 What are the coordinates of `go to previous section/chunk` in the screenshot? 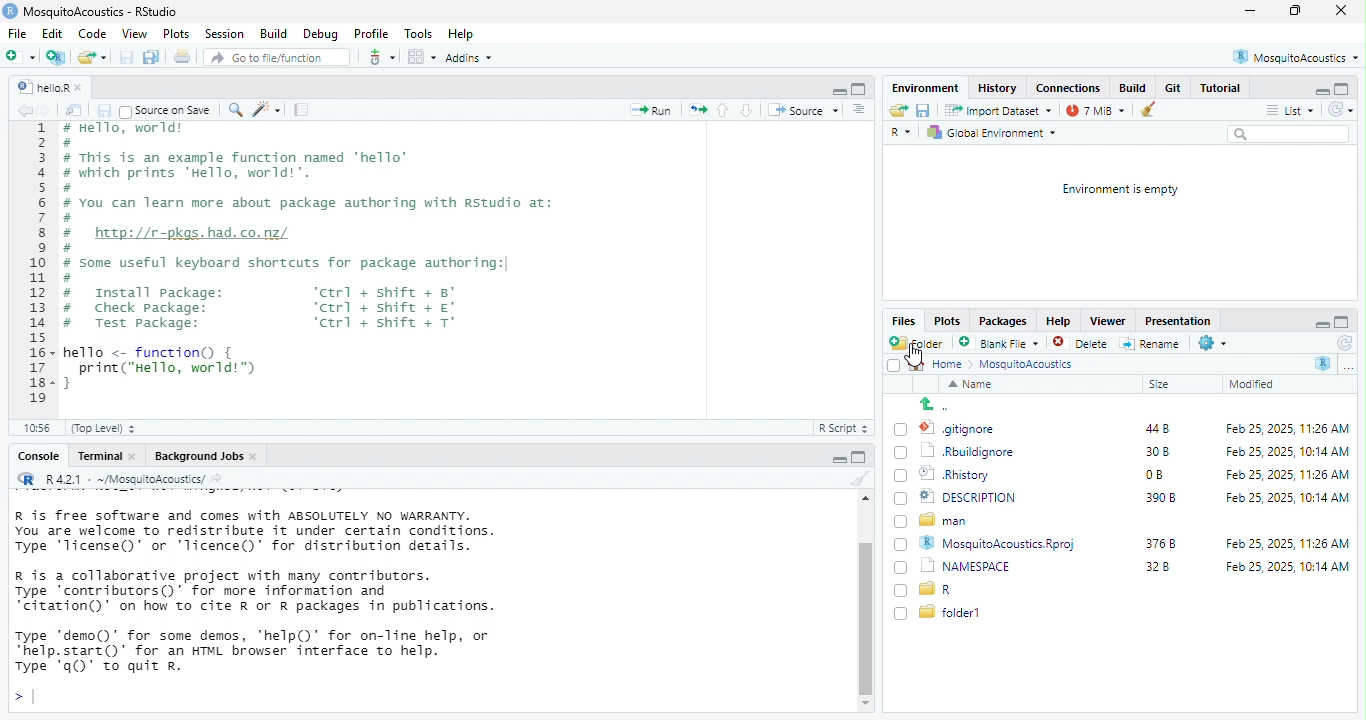 It's located at (724, 112).